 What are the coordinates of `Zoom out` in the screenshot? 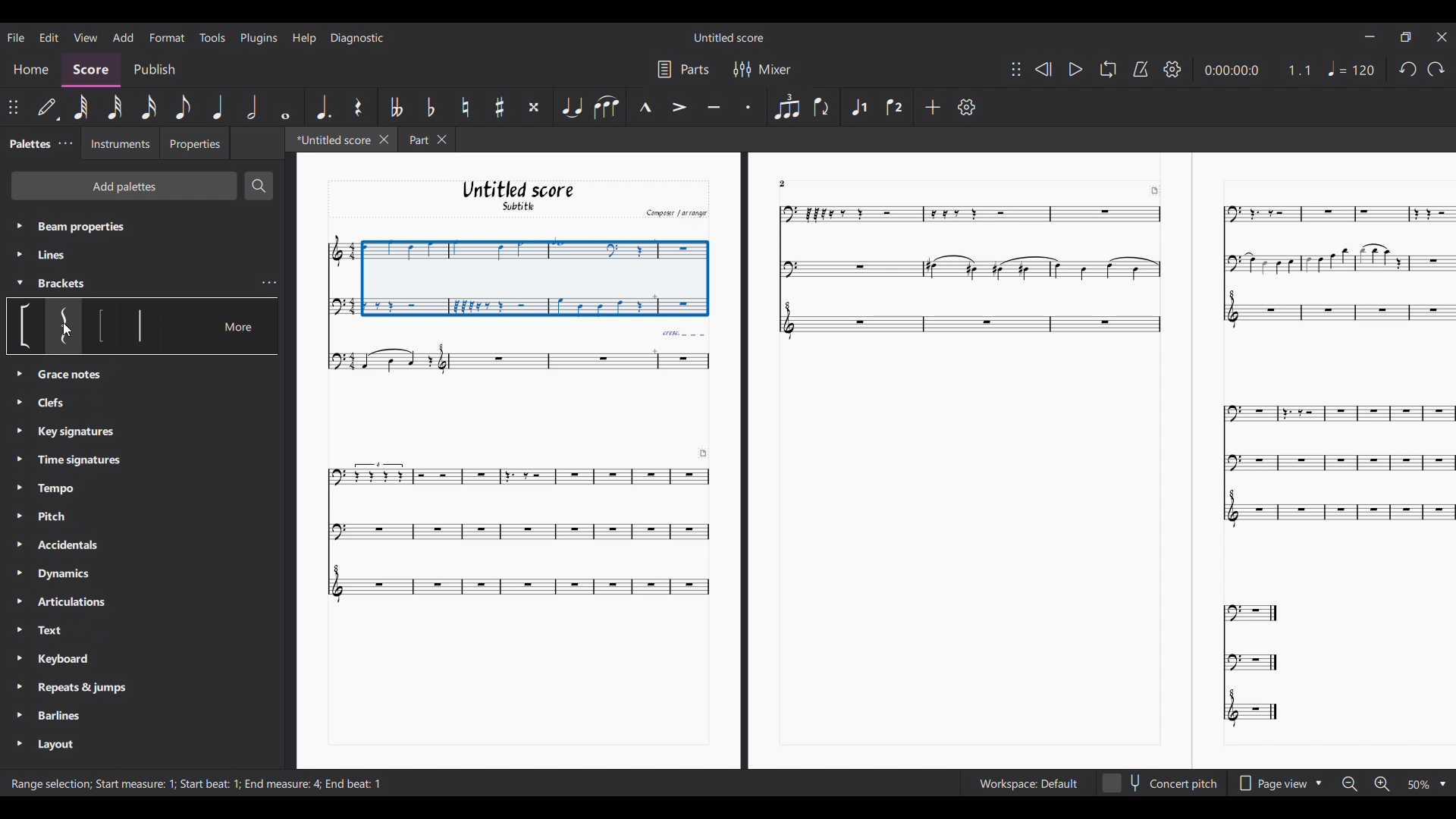 It's located at (1350, 785).